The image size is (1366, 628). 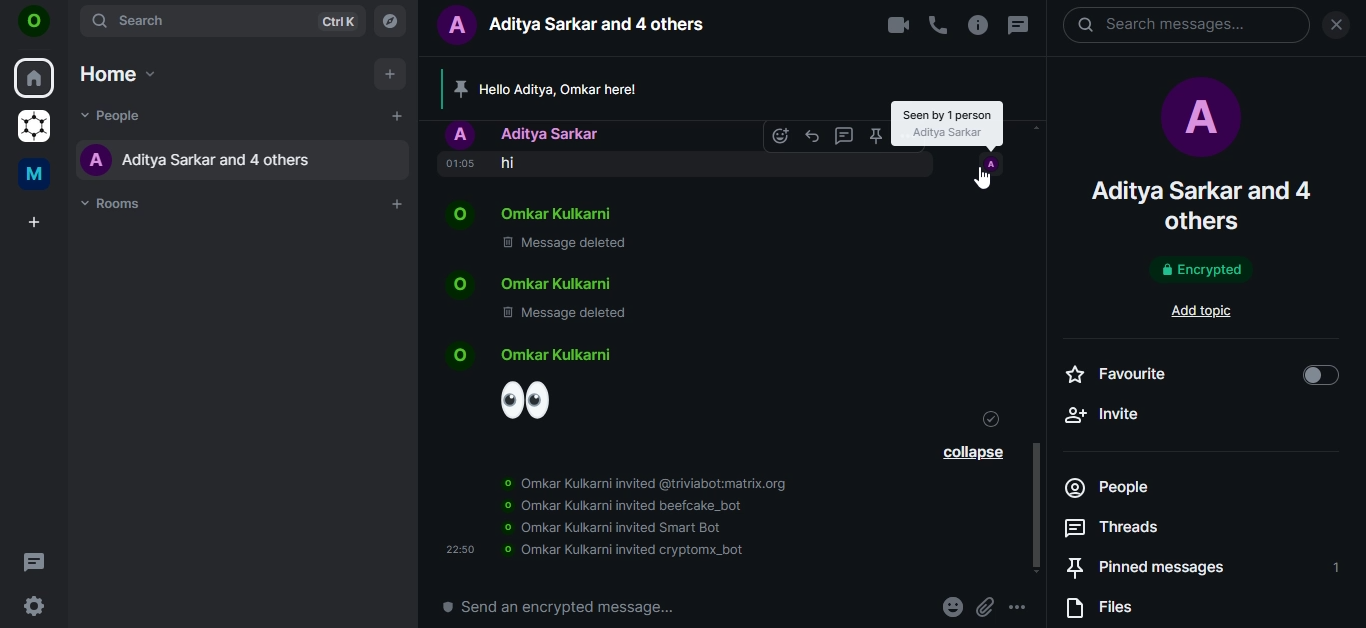 I want to click on emoji, so click(x=954, y=607).